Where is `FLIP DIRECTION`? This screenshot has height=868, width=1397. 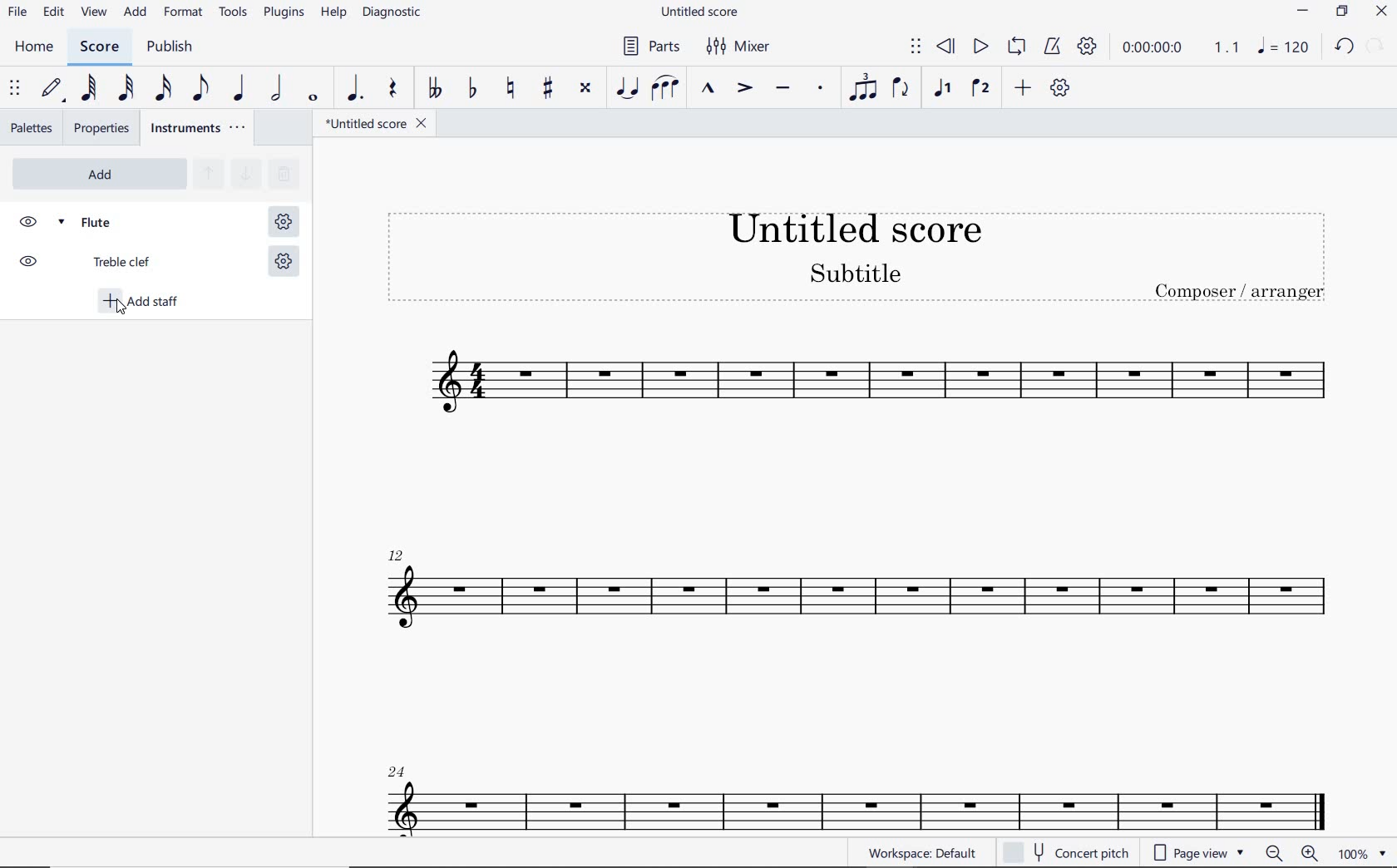 FLIP DIRECTION is located at coordinates (901, 91).